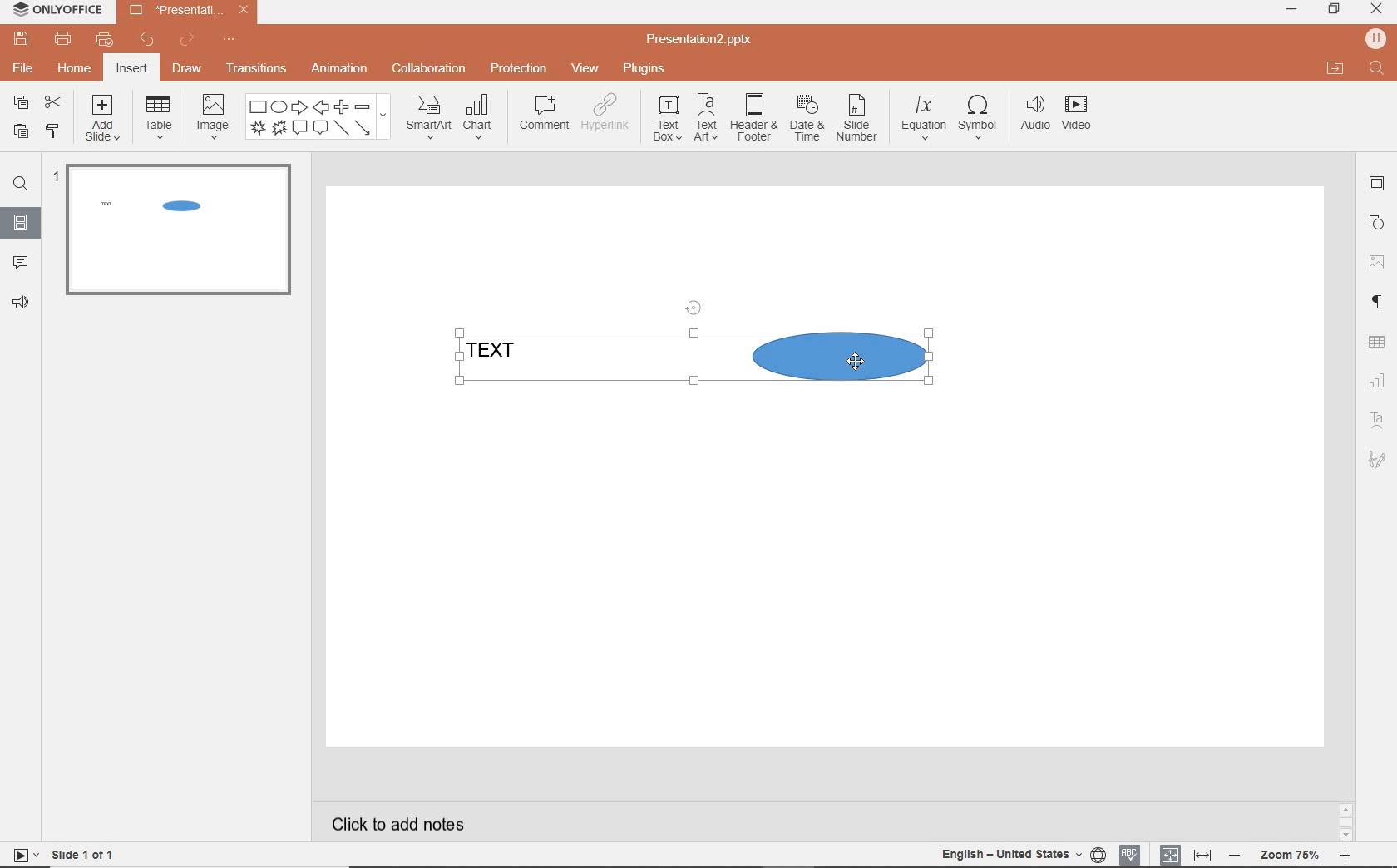 The height and width of the screenshot is (868, 1397). I want to click on save, so click(18, 38).